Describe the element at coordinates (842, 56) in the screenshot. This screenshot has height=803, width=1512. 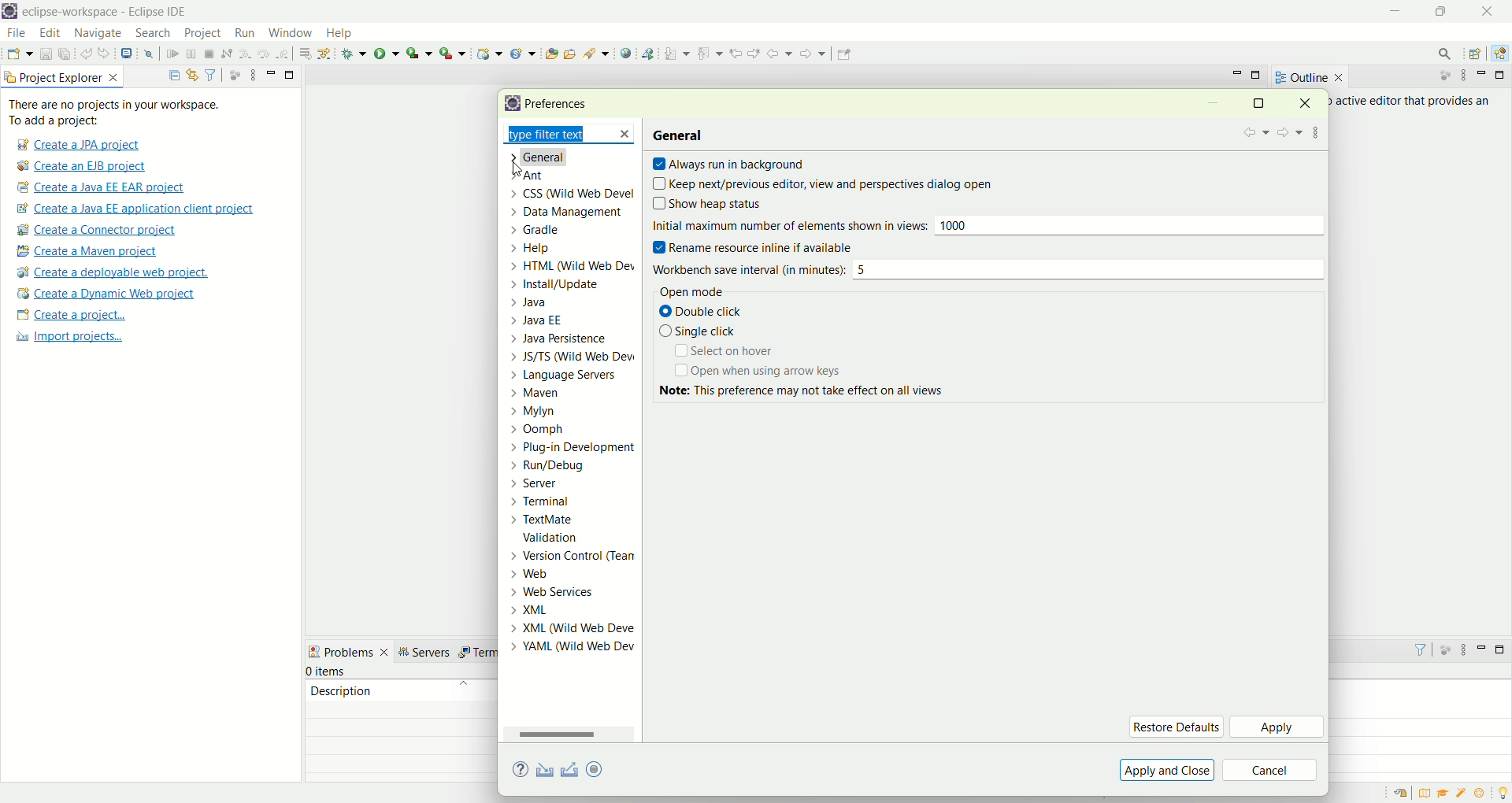
I see `Pin editor` at that location.